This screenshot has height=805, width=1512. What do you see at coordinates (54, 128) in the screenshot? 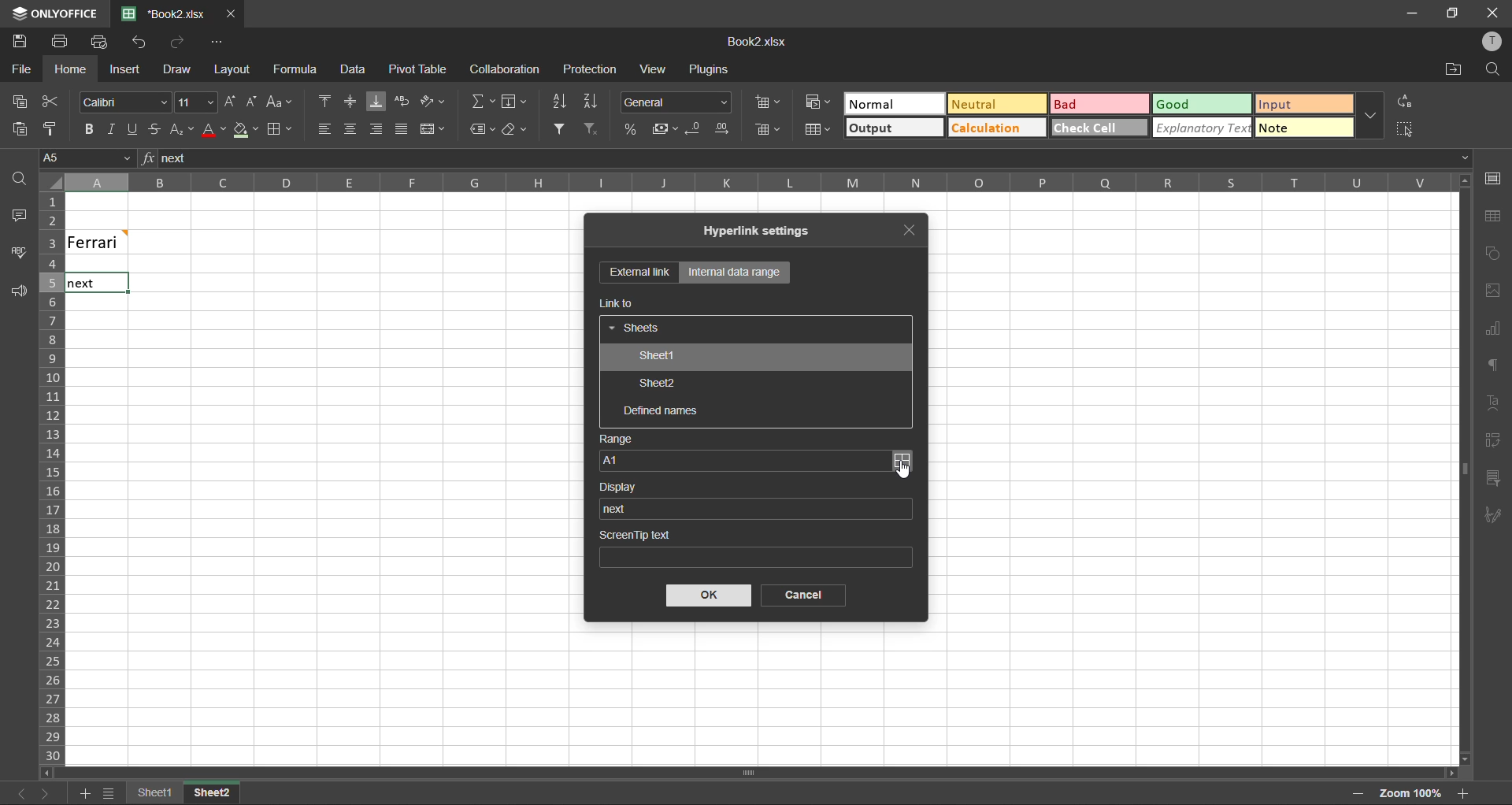
I see `copy style` at bounding box center [54, 128].